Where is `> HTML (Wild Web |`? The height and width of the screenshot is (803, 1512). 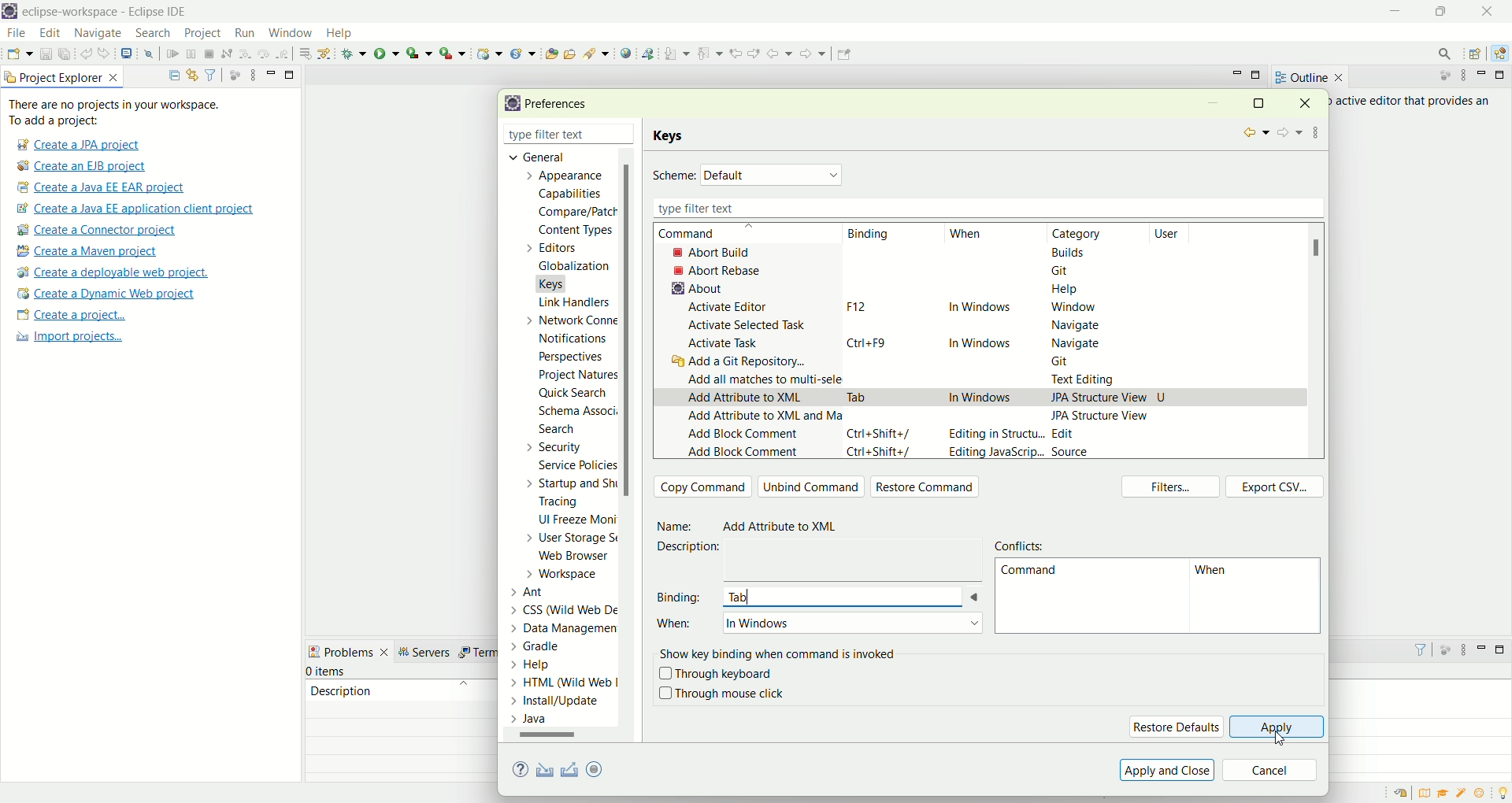 > HTML (Wild Web | is located at coordinates (565, 683).